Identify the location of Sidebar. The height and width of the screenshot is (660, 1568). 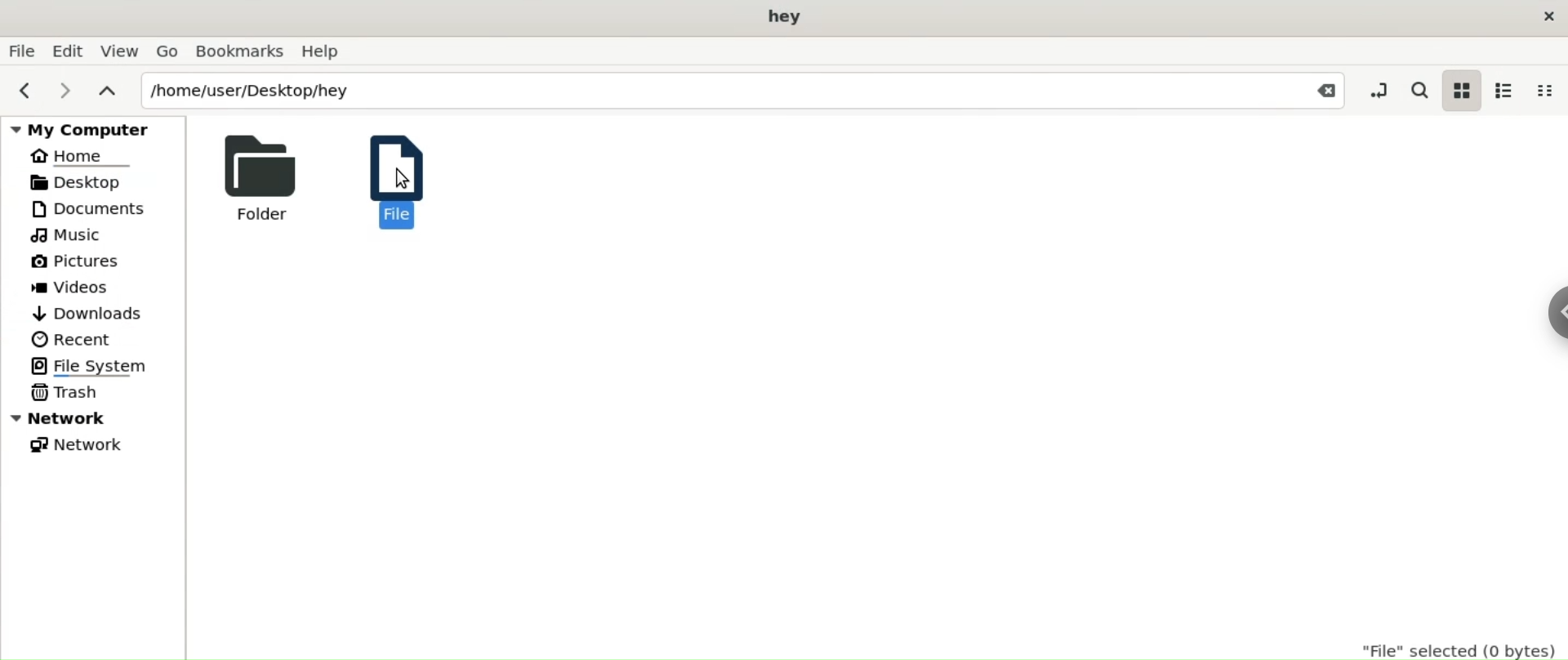
(1551, 328).